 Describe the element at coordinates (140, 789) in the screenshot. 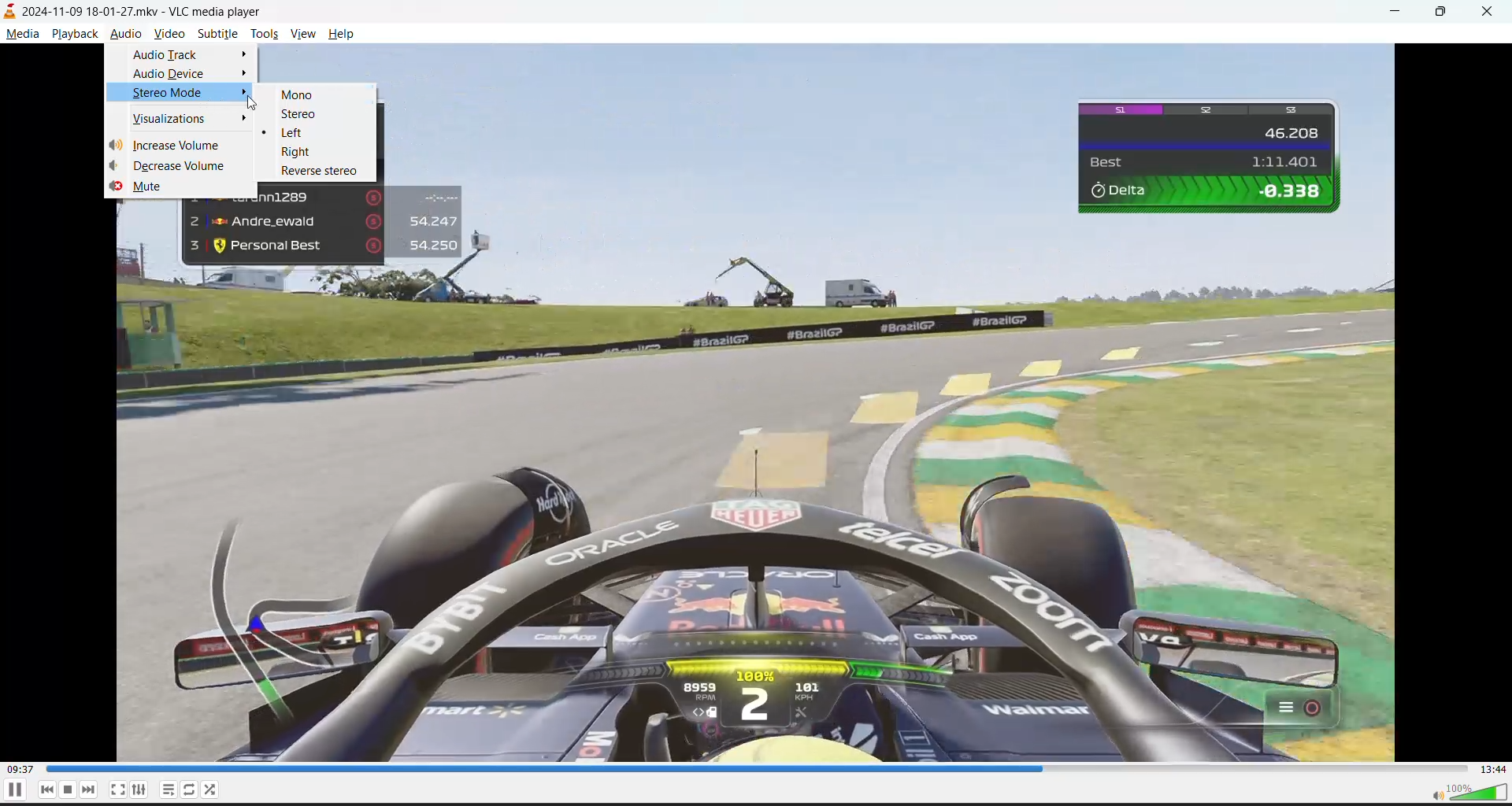

I see `settings` at that location.